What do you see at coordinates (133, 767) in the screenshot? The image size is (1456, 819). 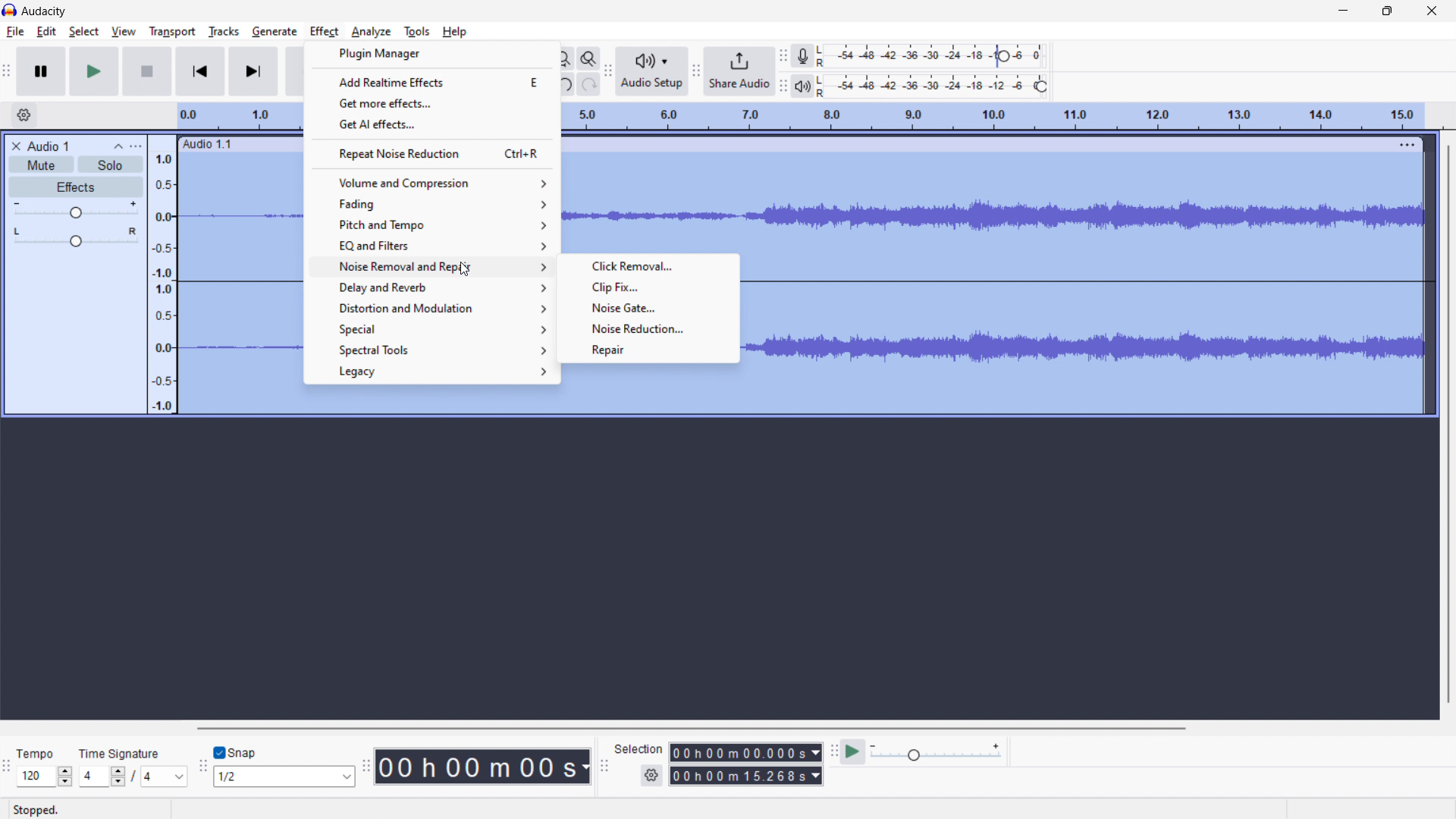 I see `set time signature` at bounding box center [133, 767].